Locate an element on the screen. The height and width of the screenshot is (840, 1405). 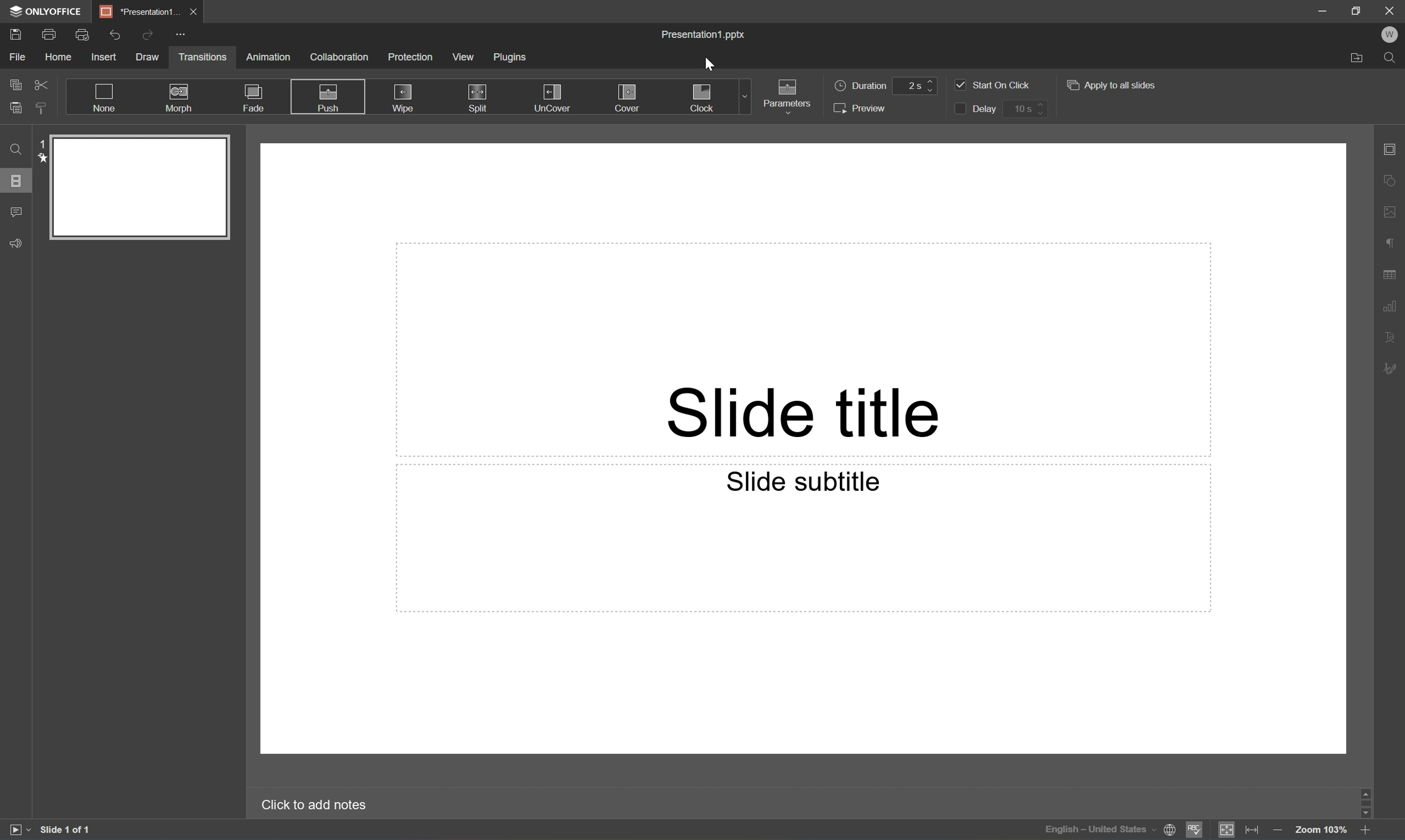
Paragraph settings is located at coordinates (1389, 243).